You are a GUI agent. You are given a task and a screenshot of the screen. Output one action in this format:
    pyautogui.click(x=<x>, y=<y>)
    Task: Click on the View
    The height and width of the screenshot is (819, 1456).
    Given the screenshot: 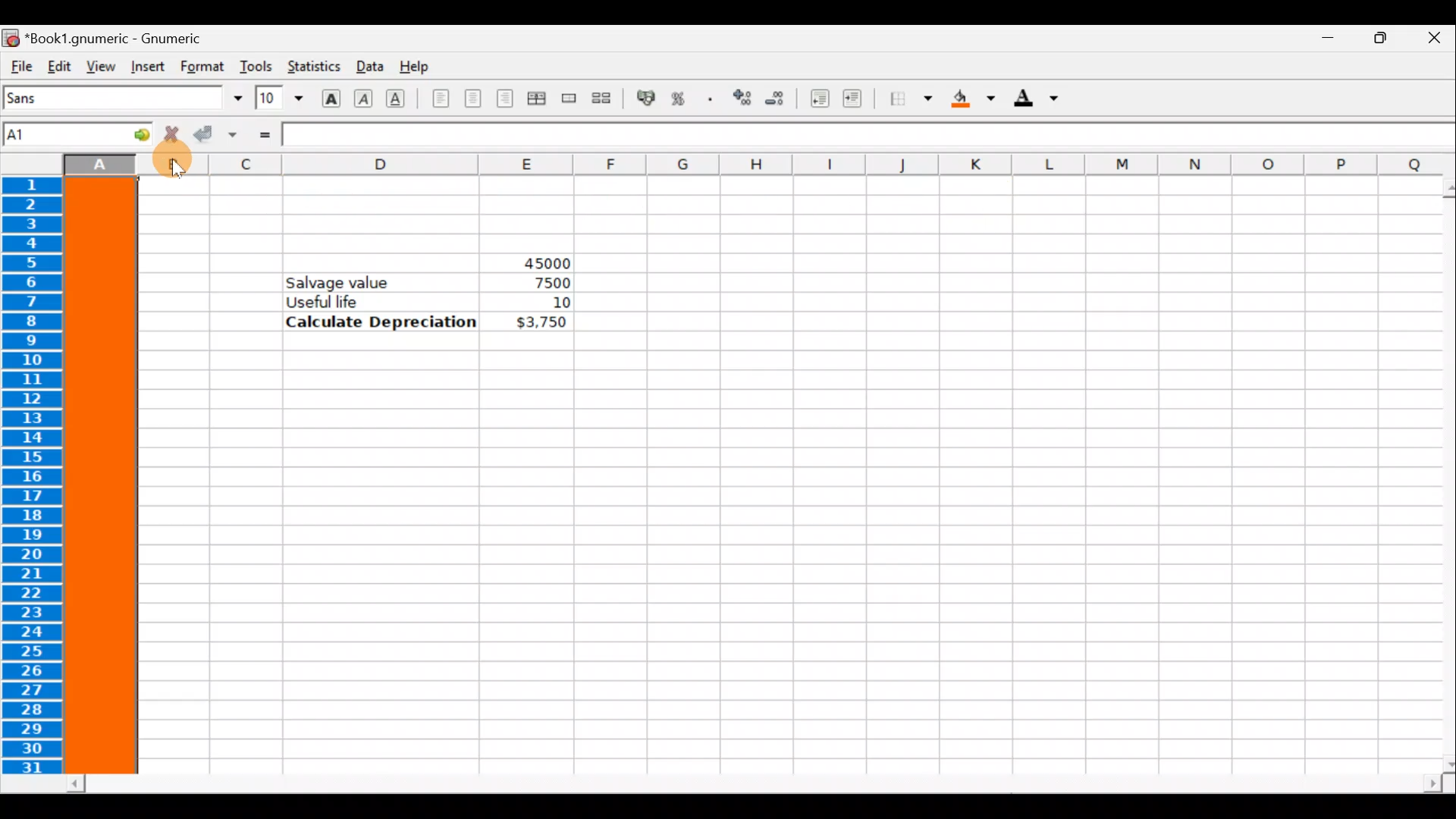 What is the action you would take?
    pyautogui.click(x=96, y=65)
    